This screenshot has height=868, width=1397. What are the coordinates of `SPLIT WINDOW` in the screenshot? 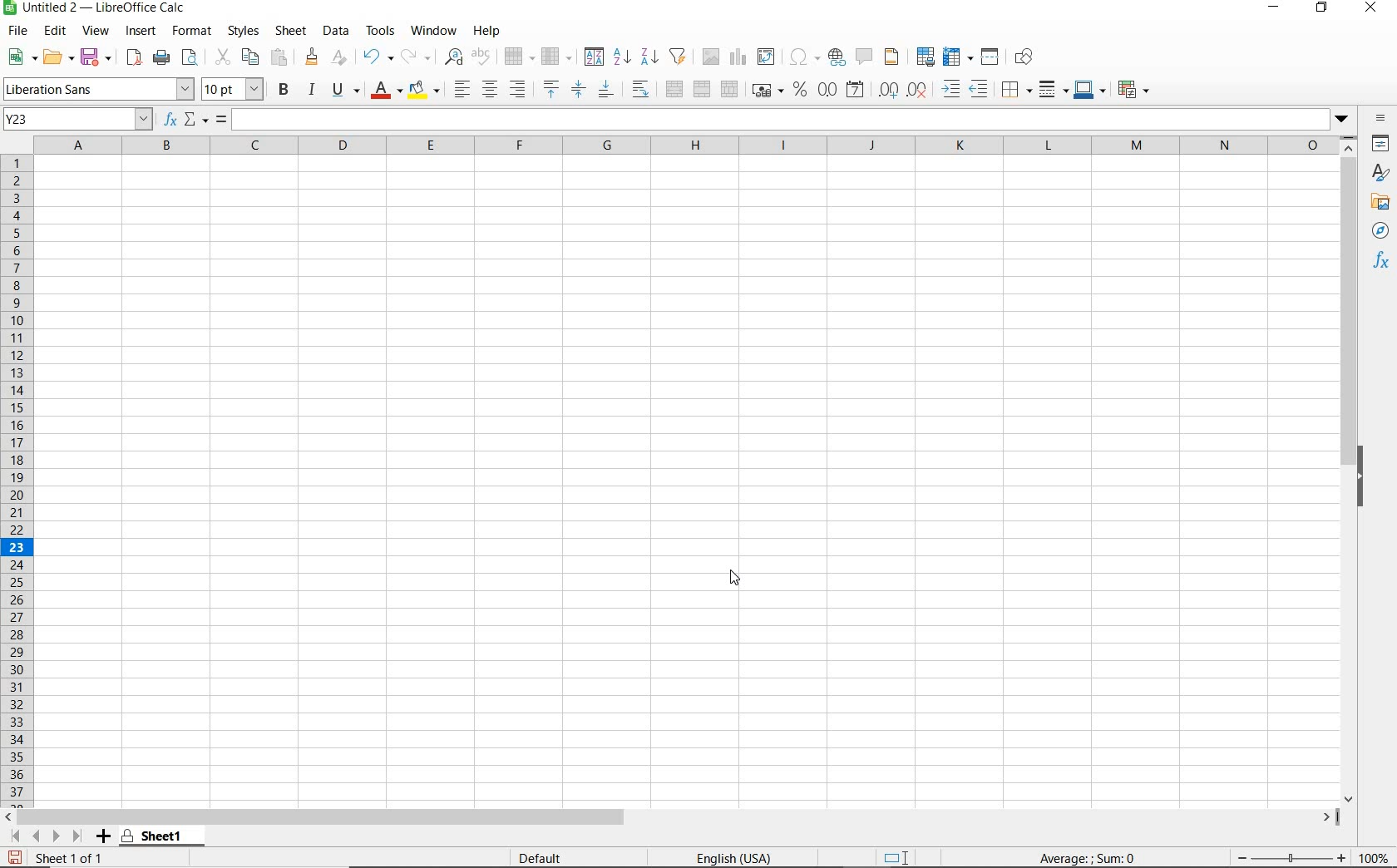 It's located at (989, 56).